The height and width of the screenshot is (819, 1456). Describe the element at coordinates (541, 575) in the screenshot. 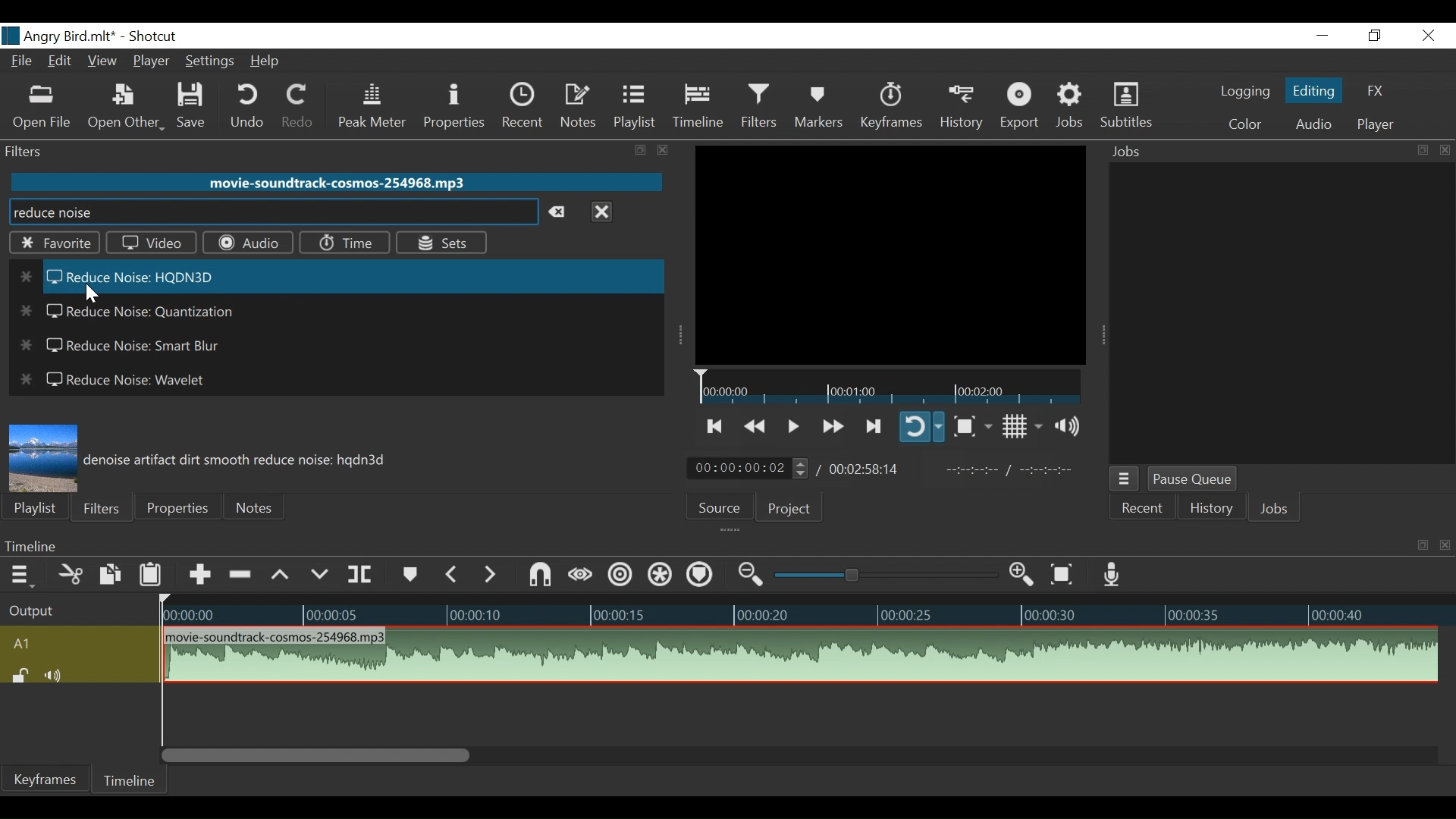

I see `Snap` at that location.